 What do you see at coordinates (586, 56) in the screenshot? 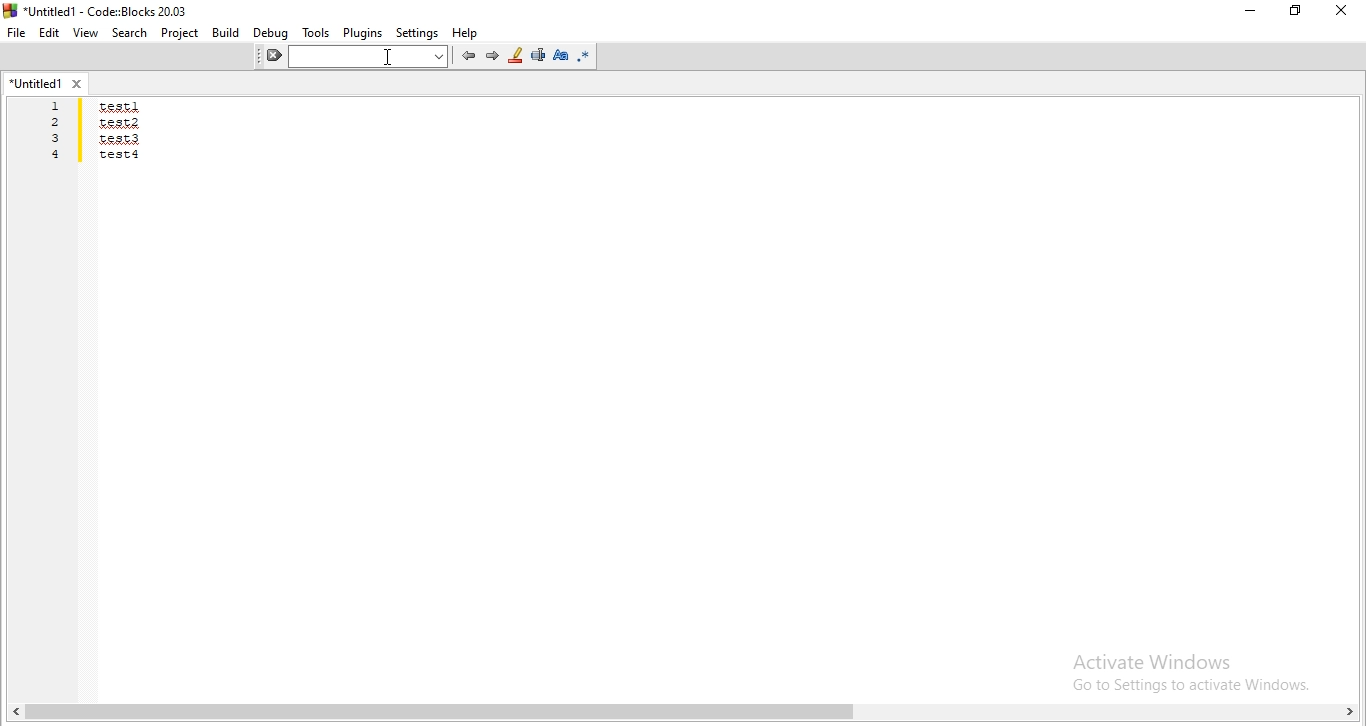
I see `use regex` at bounding box center [586, 56].